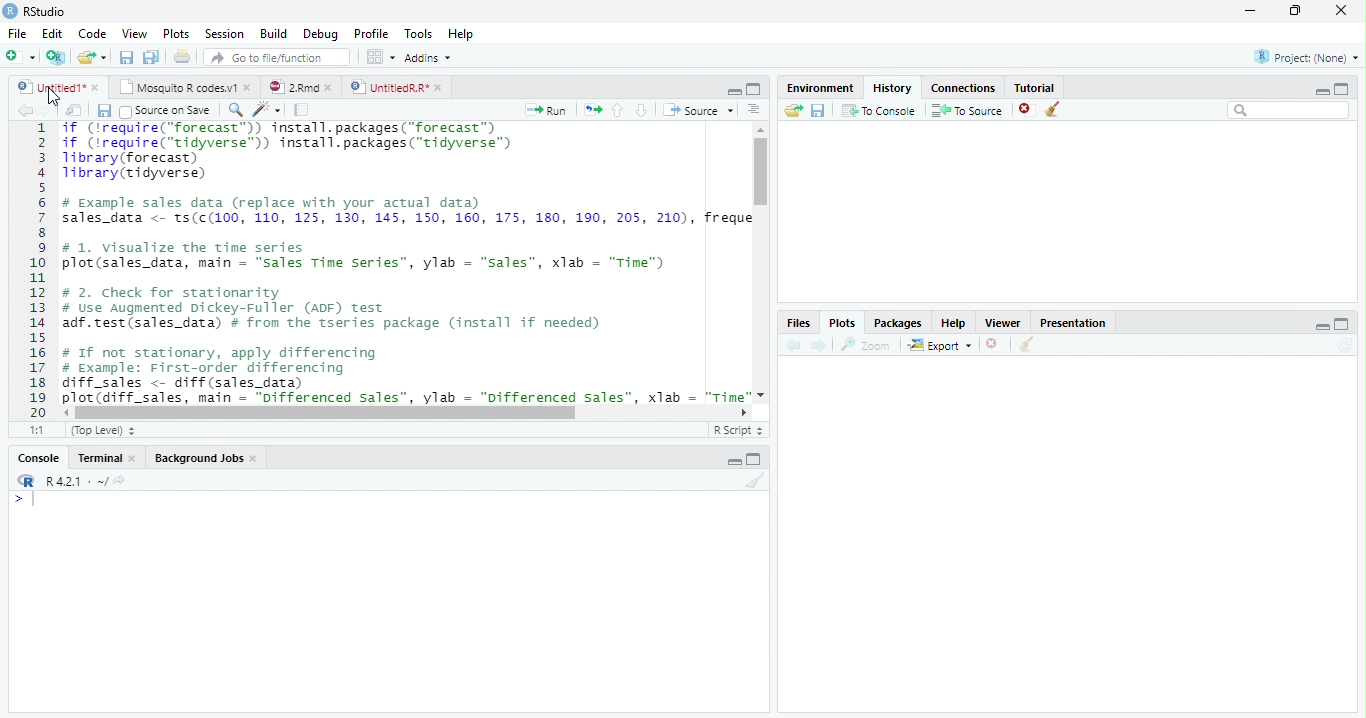 This screenshot has height=718, width=1366. I want to click on Delete, so click(992, 343).